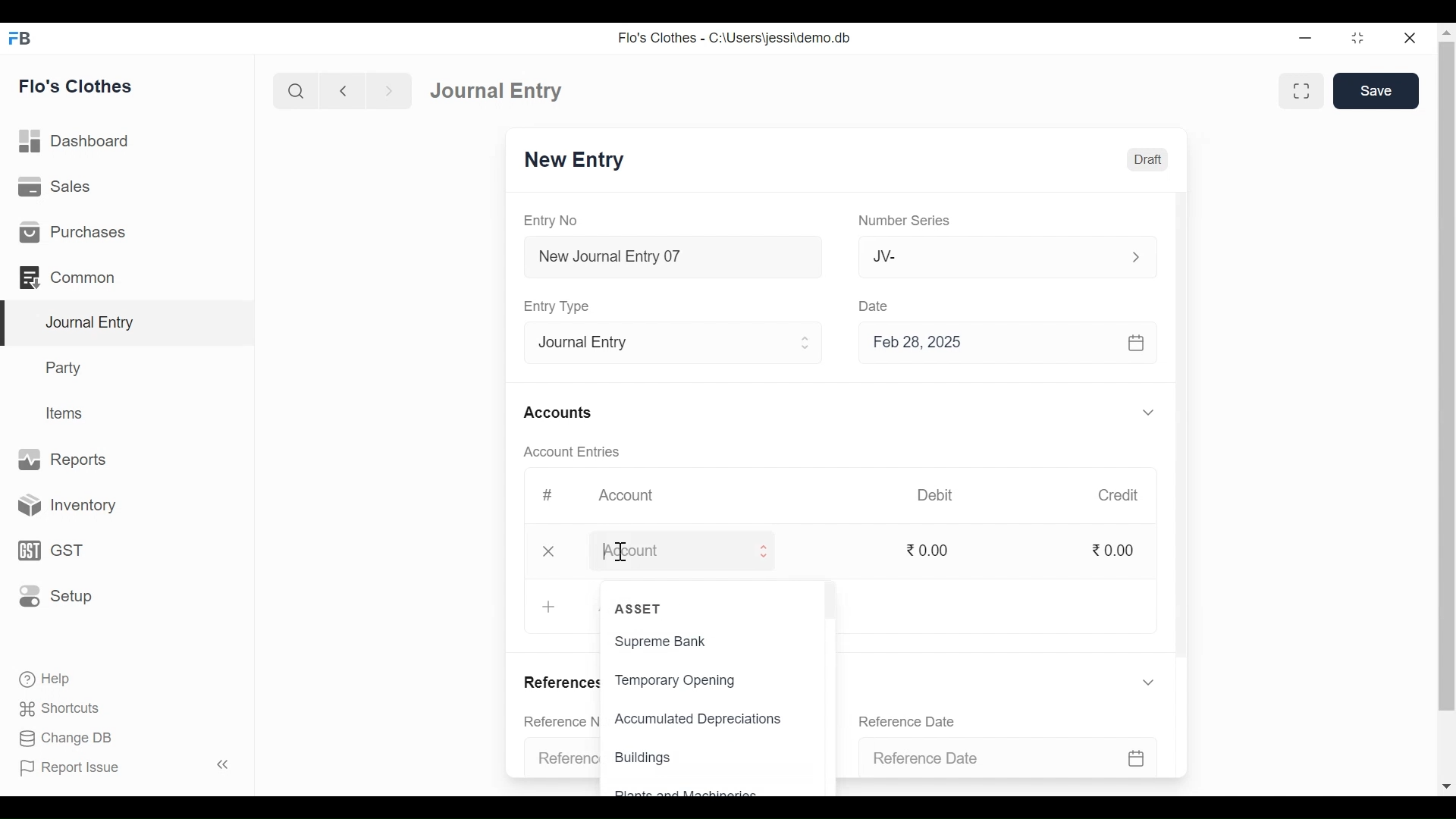 The width and height of the screenshot is (1456, 819). I want to click on Party, so click(66, 367).